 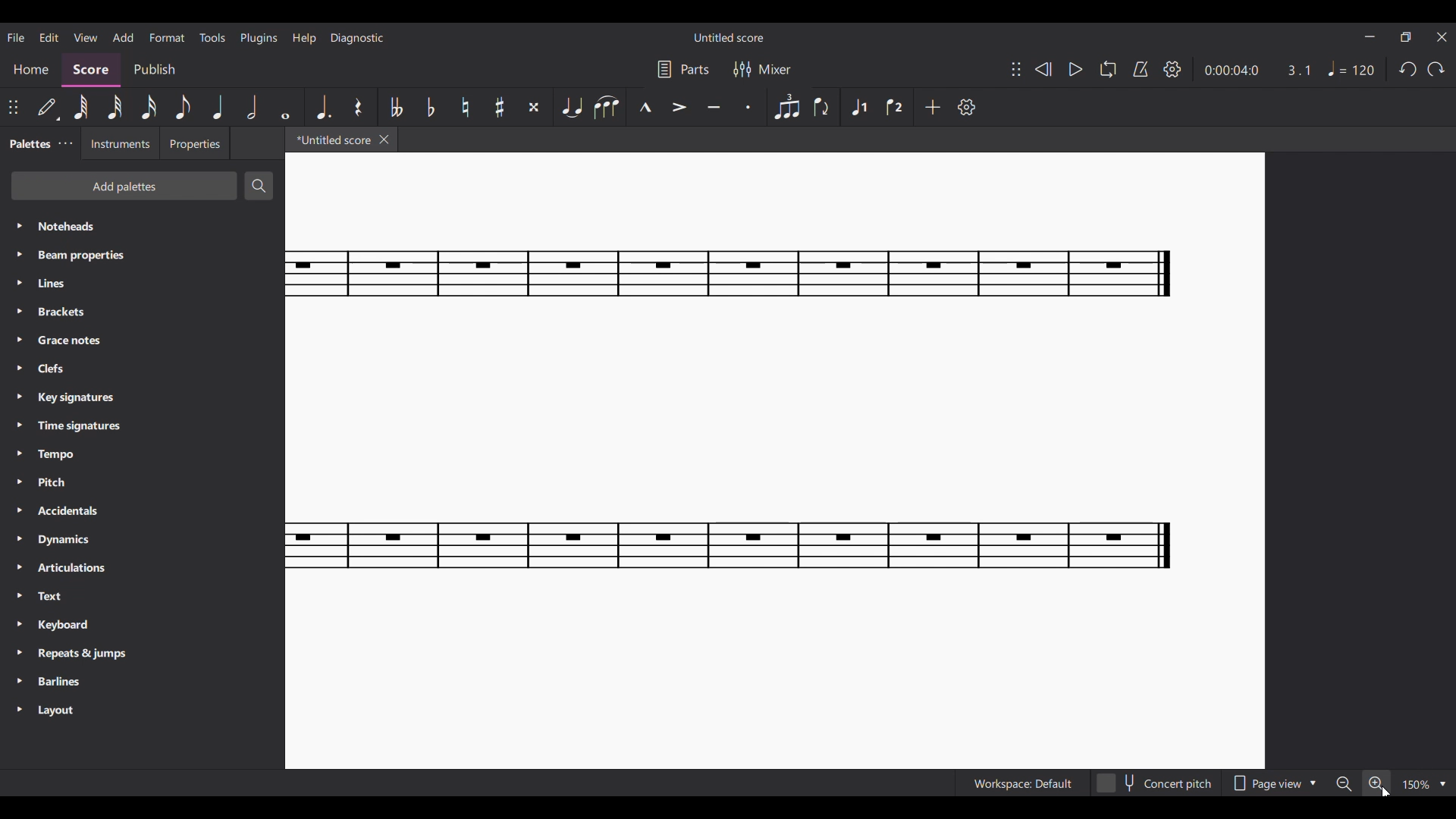 I want to click on Flip direction, so click(x=823, y=107).